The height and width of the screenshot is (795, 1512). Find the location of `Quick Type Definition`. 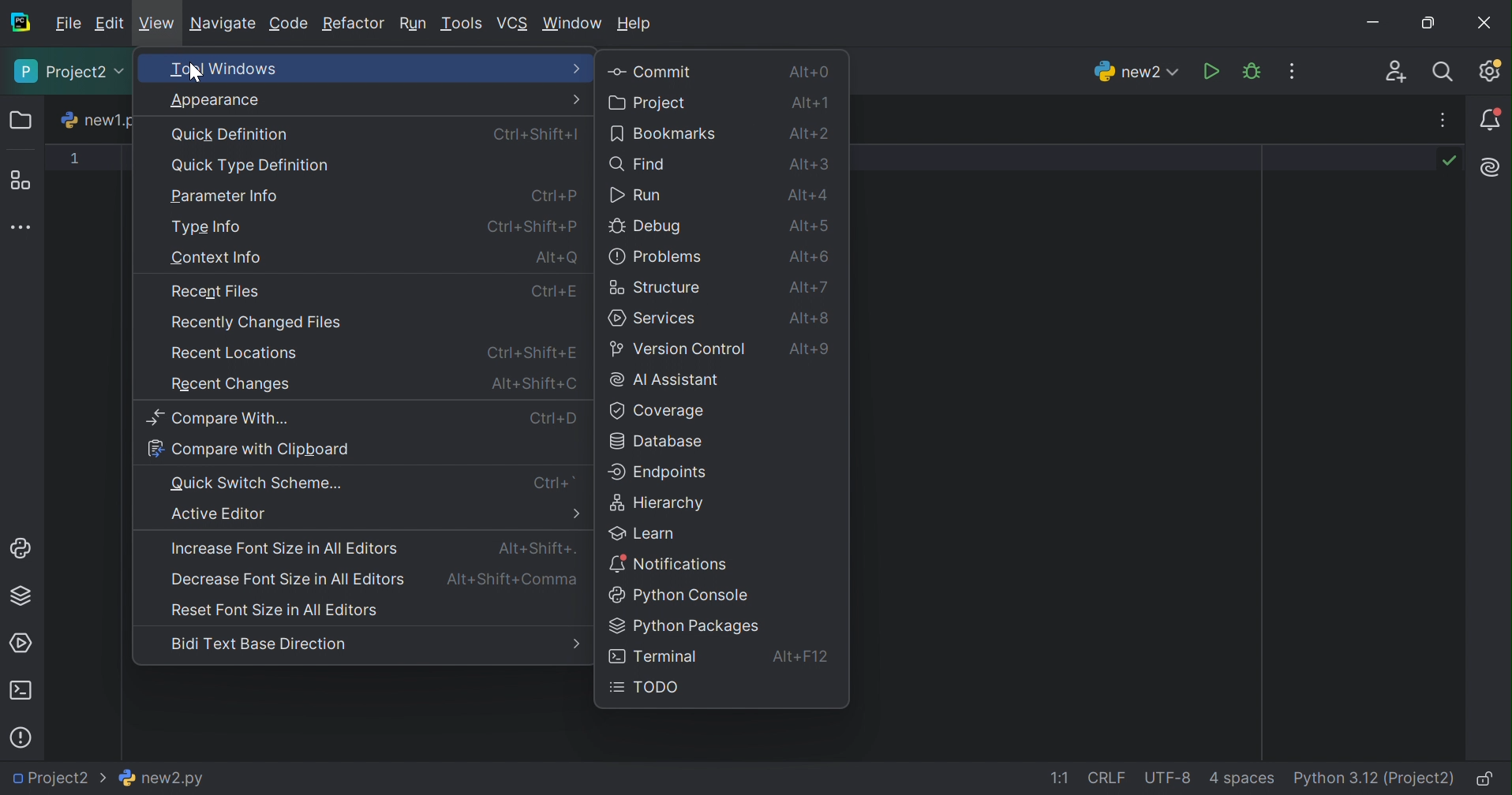

Quick Type Definition is located at coordinates (252, 167).